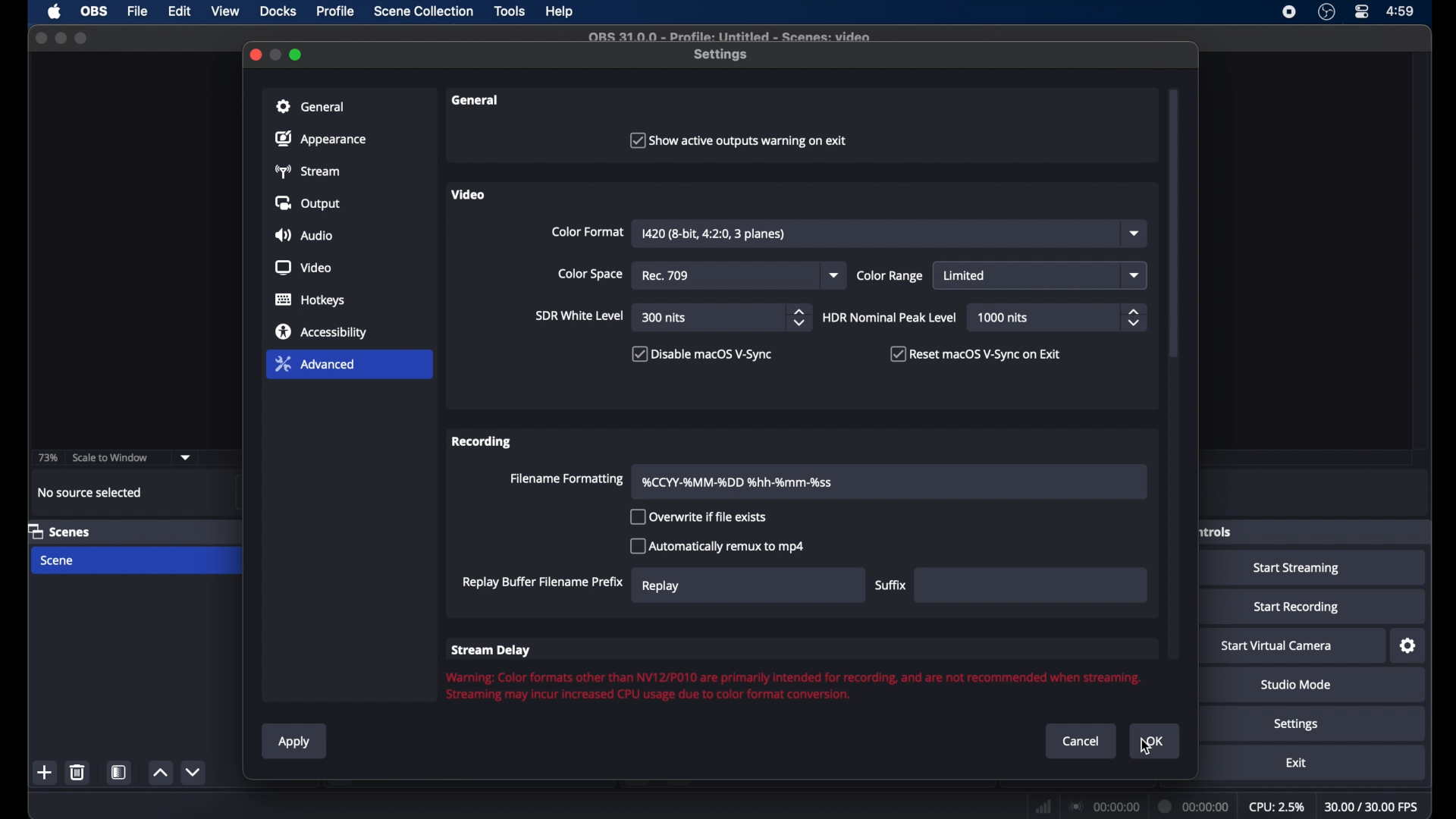 The width and height of the screenshot is (1456, 819). What do you see at coordinates (1080, 741) in the screenshot?
I see `Cancel` at bounding box center [1080, 741].